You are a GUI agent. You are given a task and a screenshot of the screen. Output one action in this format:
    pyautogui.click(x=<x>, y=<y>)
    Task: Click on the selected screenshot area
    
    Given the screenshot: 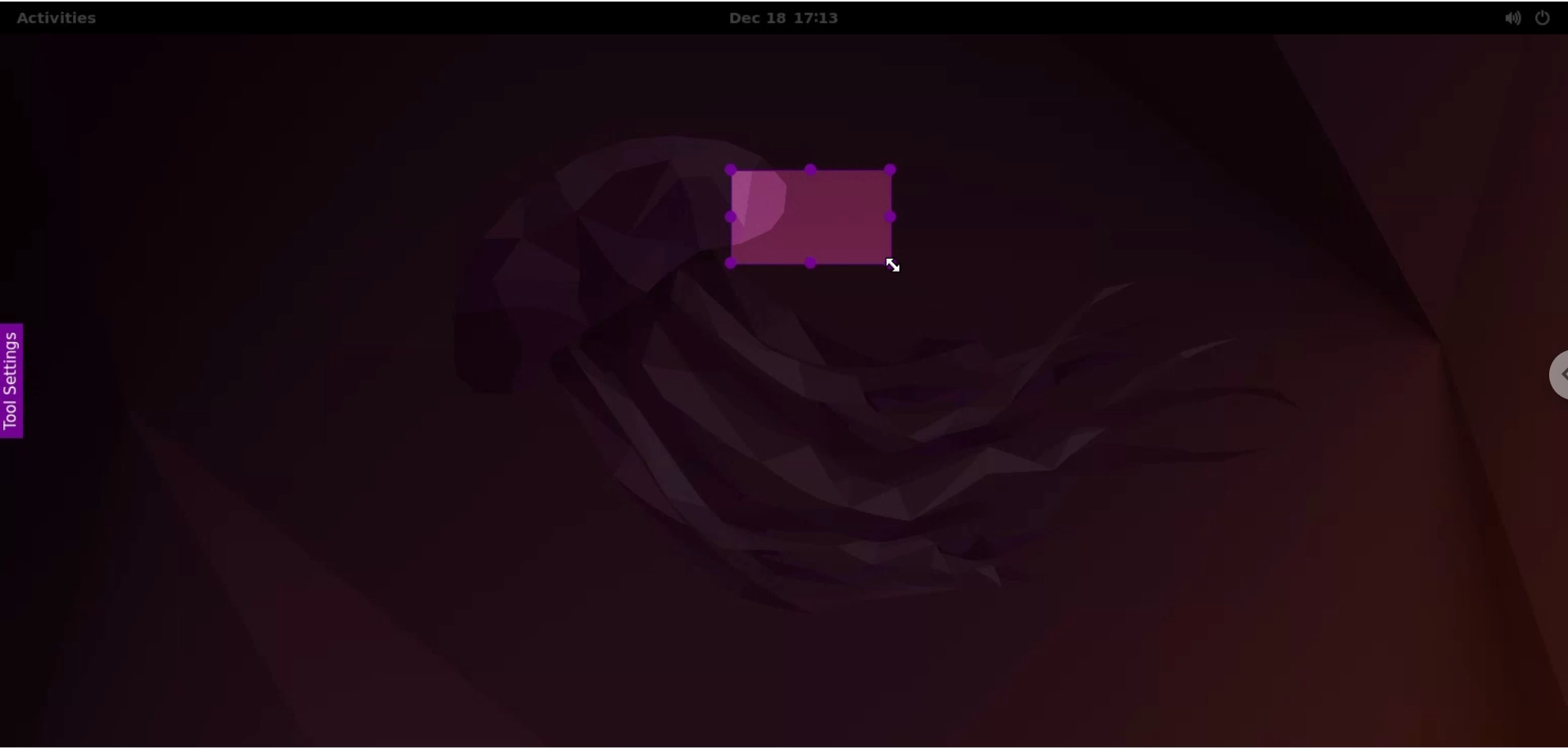 What is the action you would take?
    pyautogui.click(x=810, y=216)
    